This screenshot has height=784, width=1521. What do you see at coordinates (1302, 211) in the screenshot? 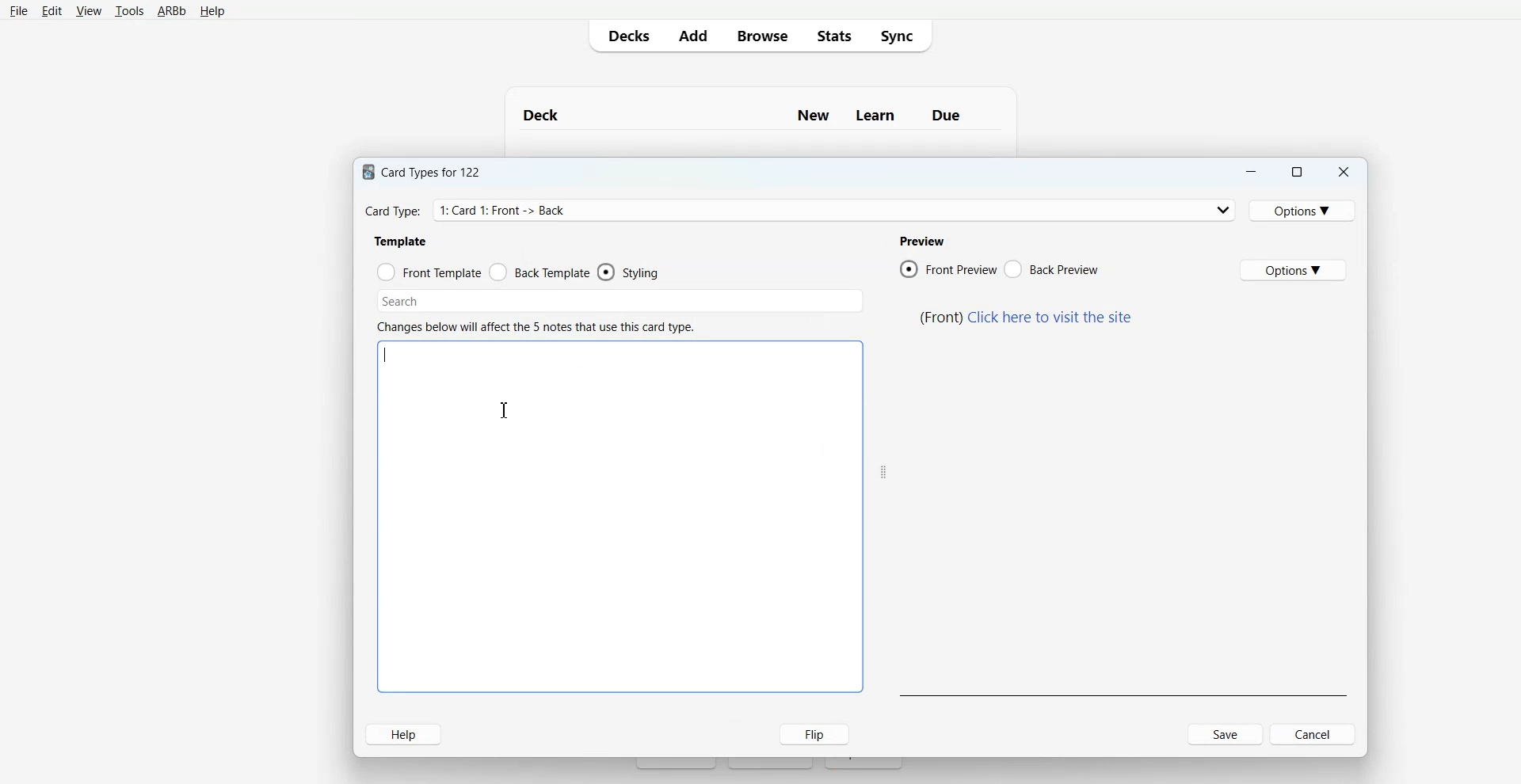
I see `Options` at bounding box center [1302, 211].